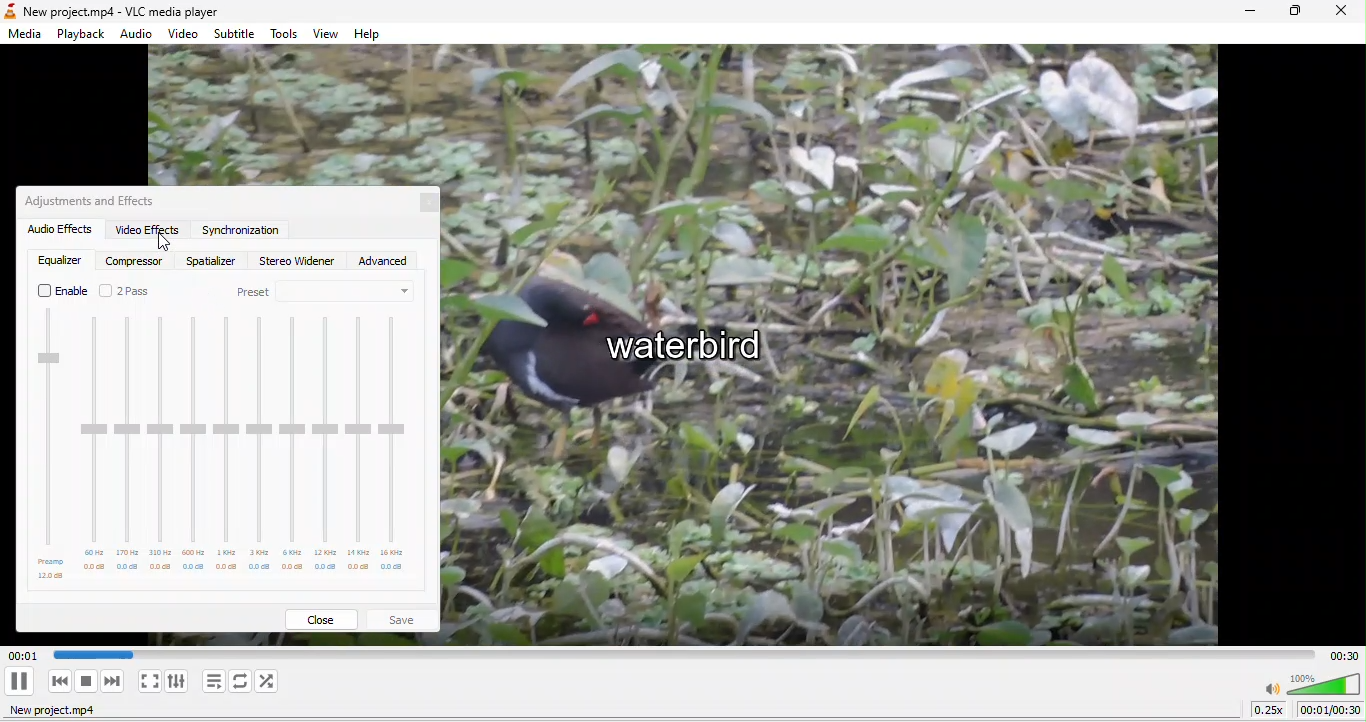  Describe the element at coordinates (257, 446) in the screenshot. I see `3khz volume bar` at that location.